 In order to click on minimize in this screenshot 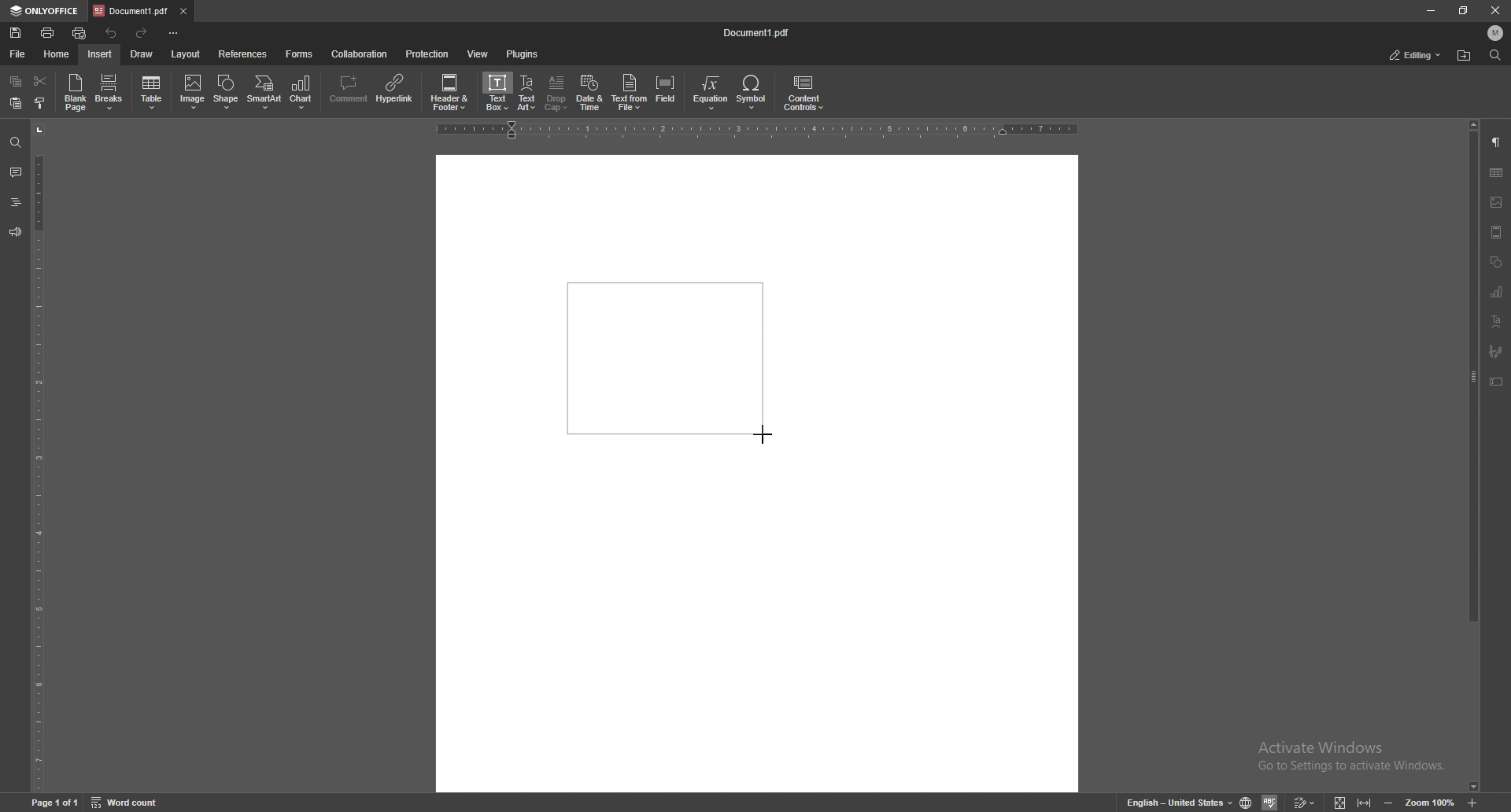, I will do `click(1431, 10)`.